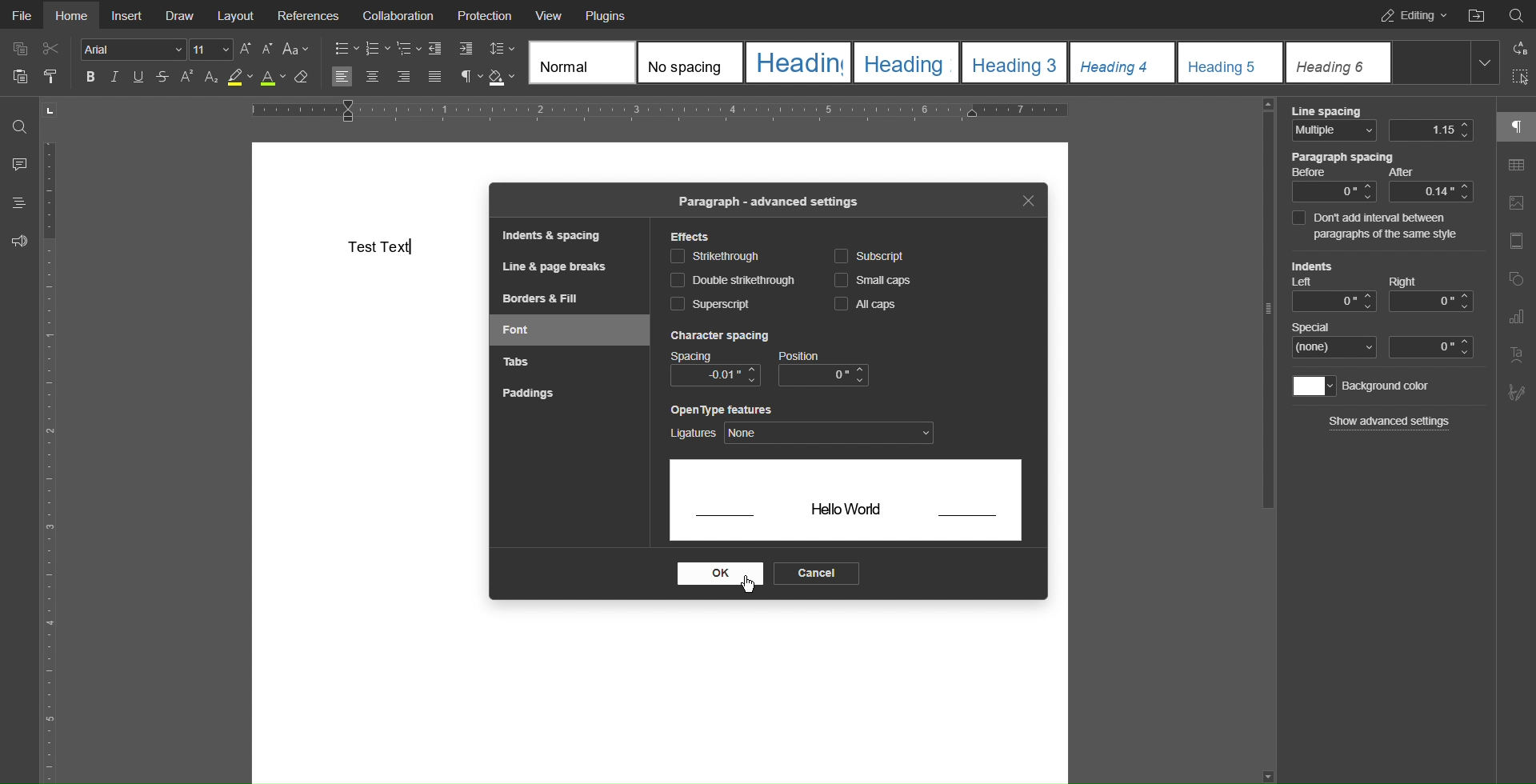 The height and width of the screenshot is (784, 1536). I want to click on Spacing , so click(715, 357).